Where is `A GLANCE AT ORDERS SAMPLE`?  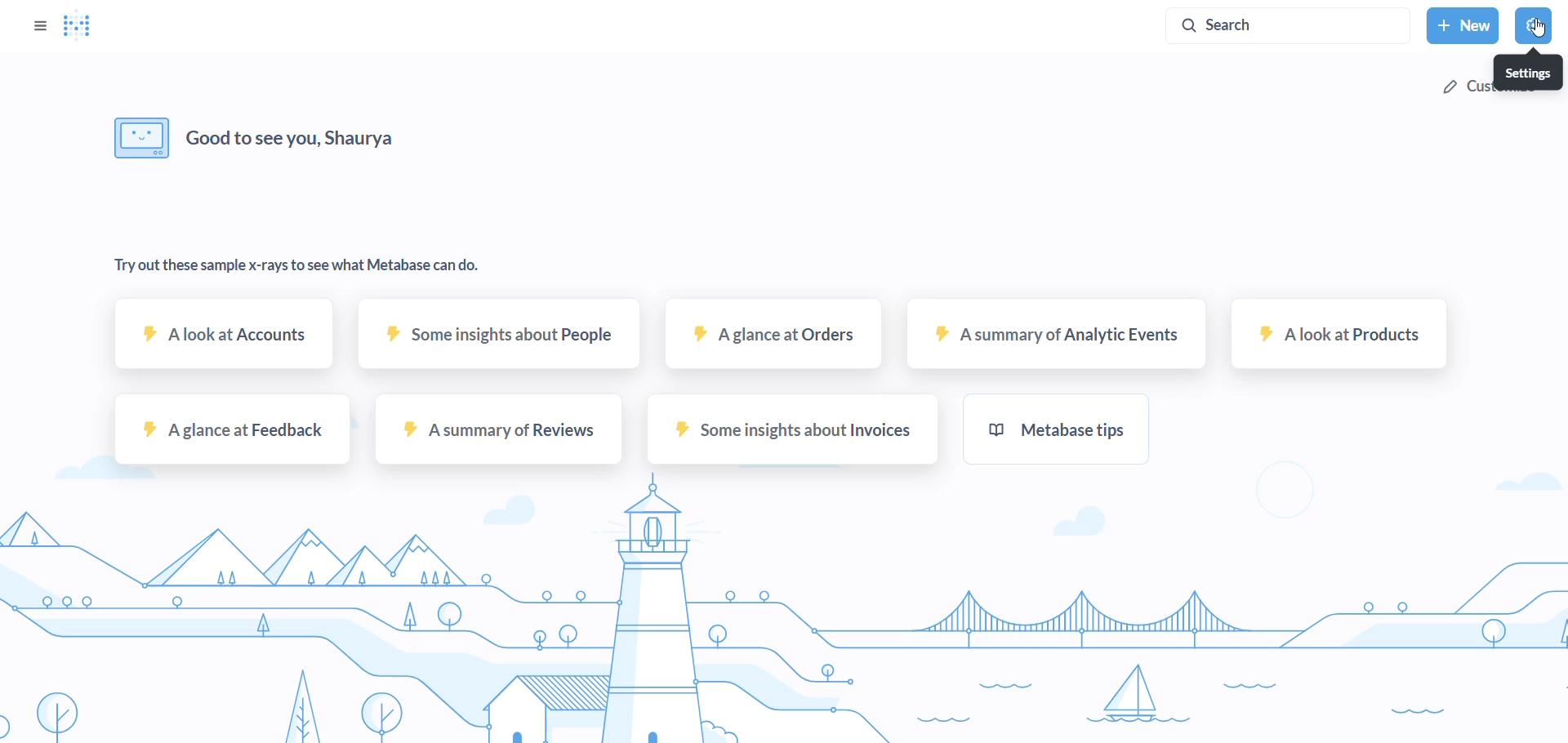 A GLANCE AT ORDERS SAMPLE is located at coordinates (777, 337).